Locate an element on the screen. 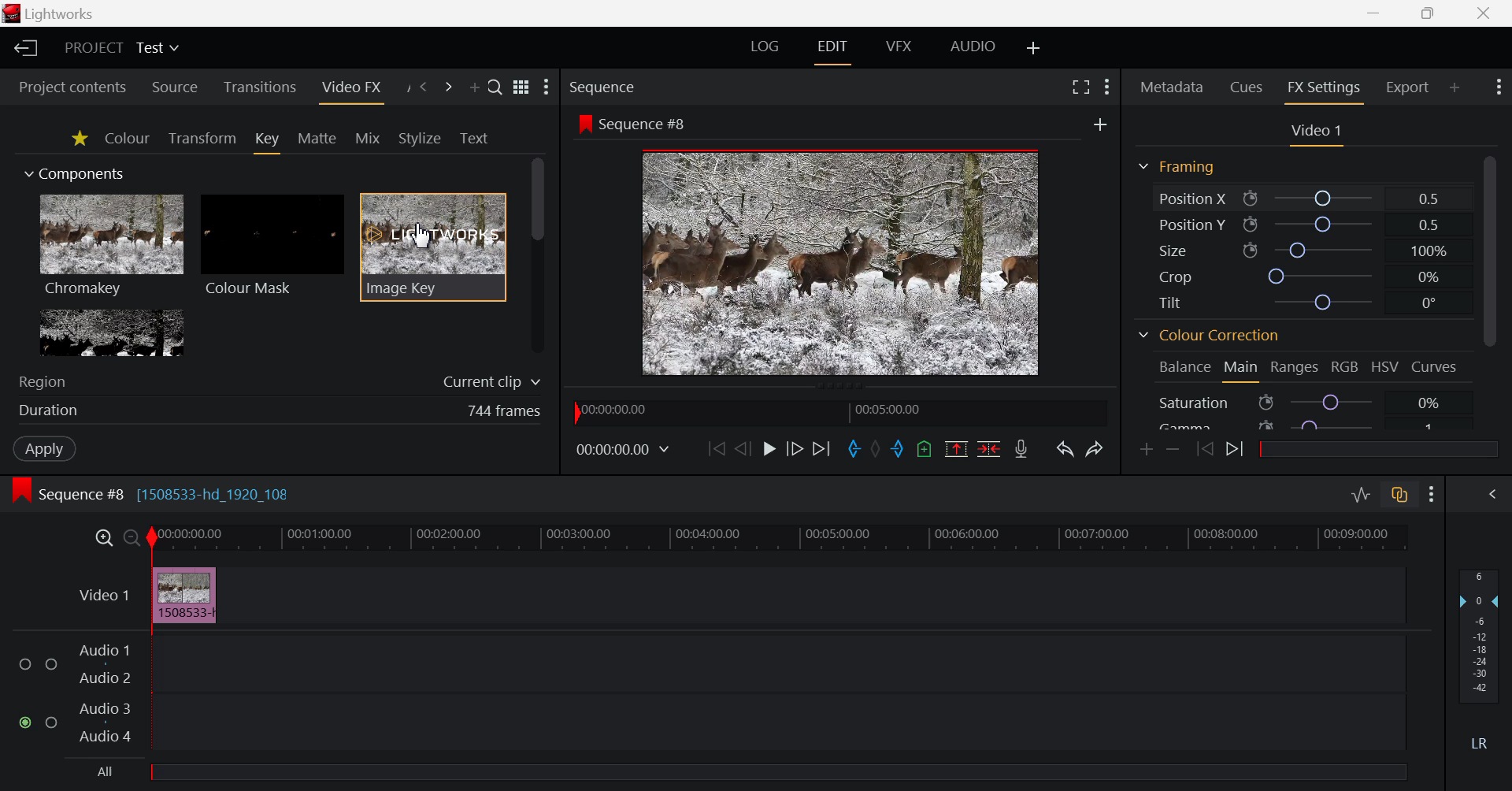  Key is located at coordinates (268, 143).